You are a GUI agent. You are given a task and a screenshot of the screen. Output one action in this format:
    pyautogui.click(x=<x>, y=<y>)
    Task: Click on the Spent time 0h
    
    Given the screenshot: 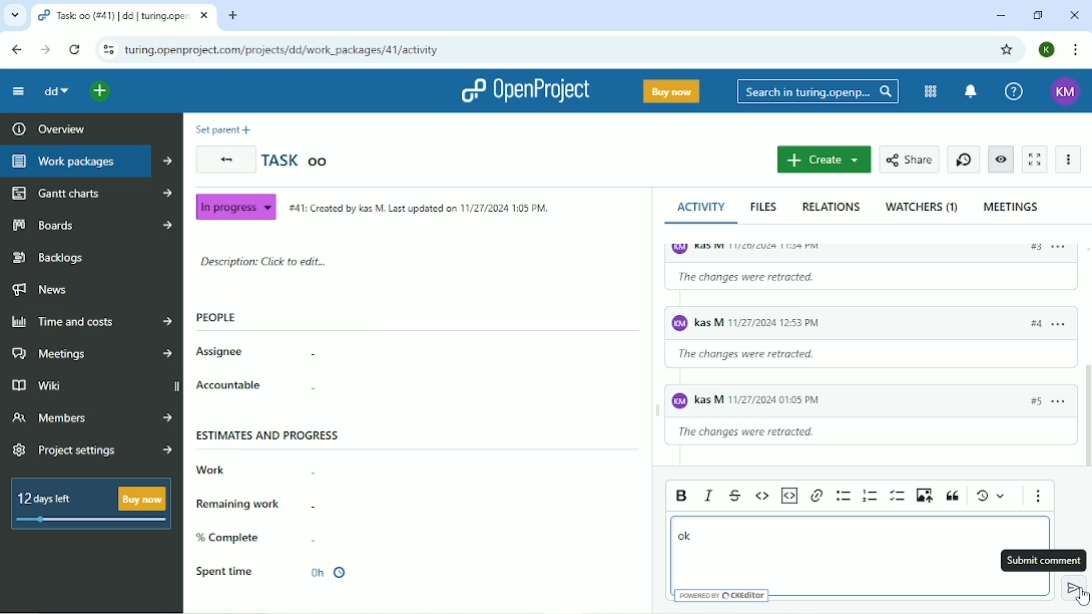 What is the action you would take?
    pyautogui.click(x=283, y=572)
    